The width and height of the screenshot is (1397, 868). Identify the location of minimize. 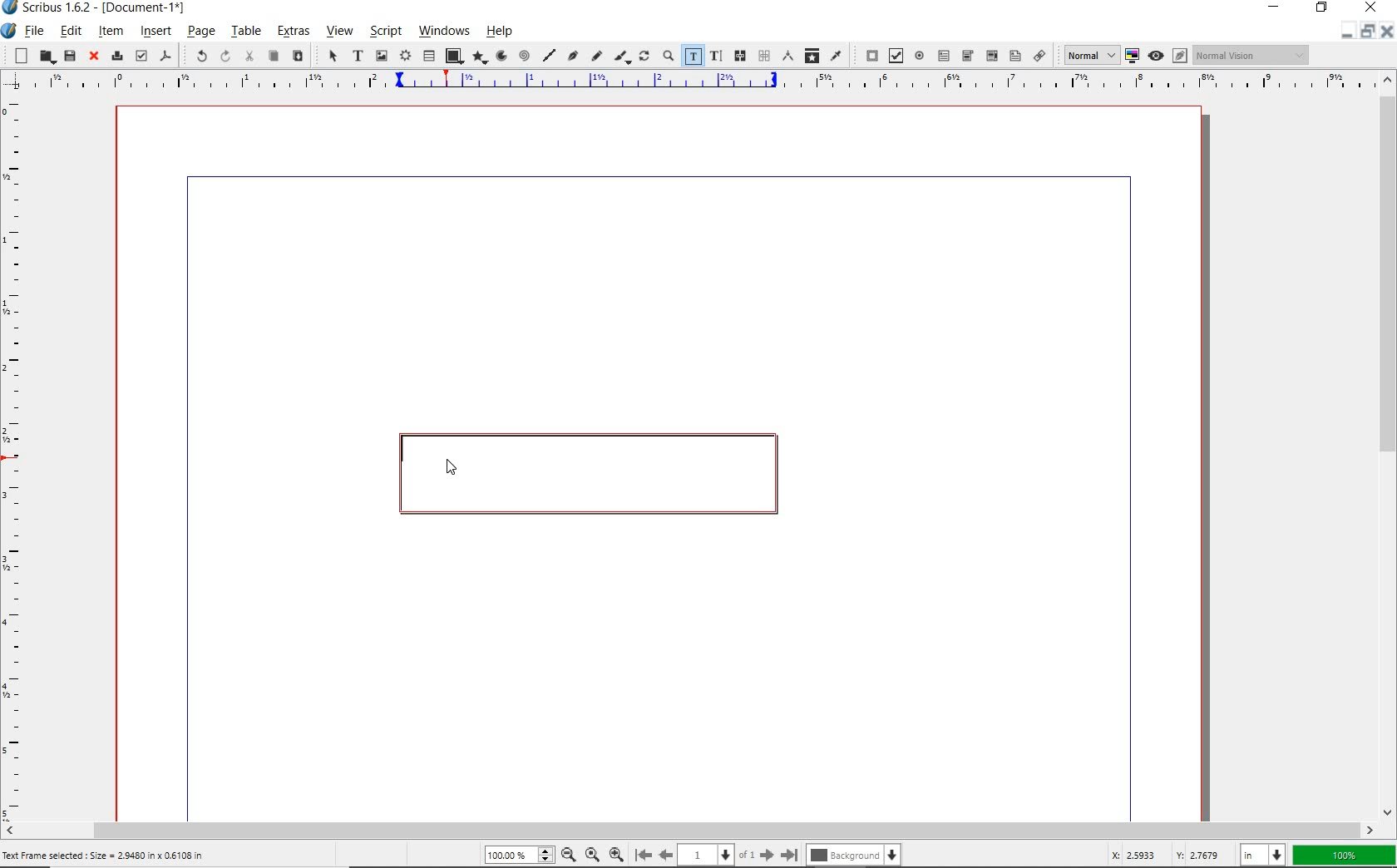
(1277, 8).